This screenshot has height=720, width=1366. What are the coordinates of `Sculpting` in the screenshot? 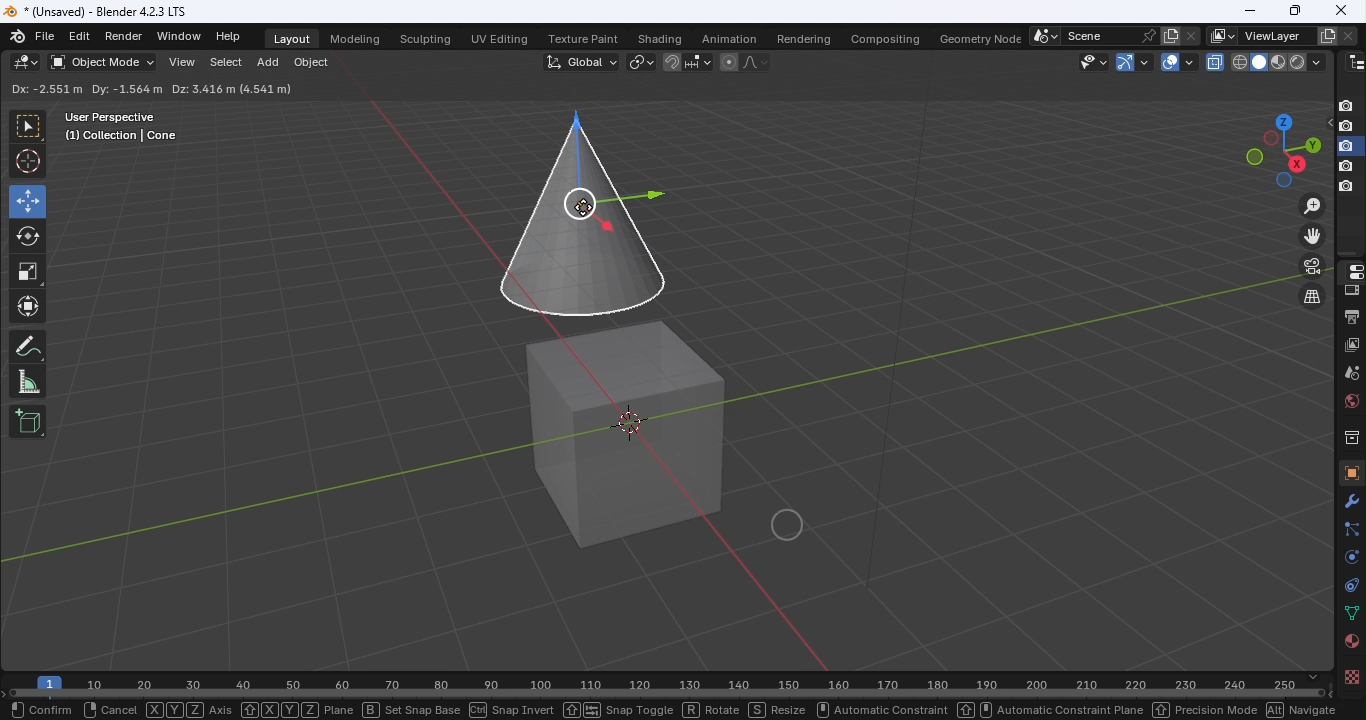 It's located at (425, 40).